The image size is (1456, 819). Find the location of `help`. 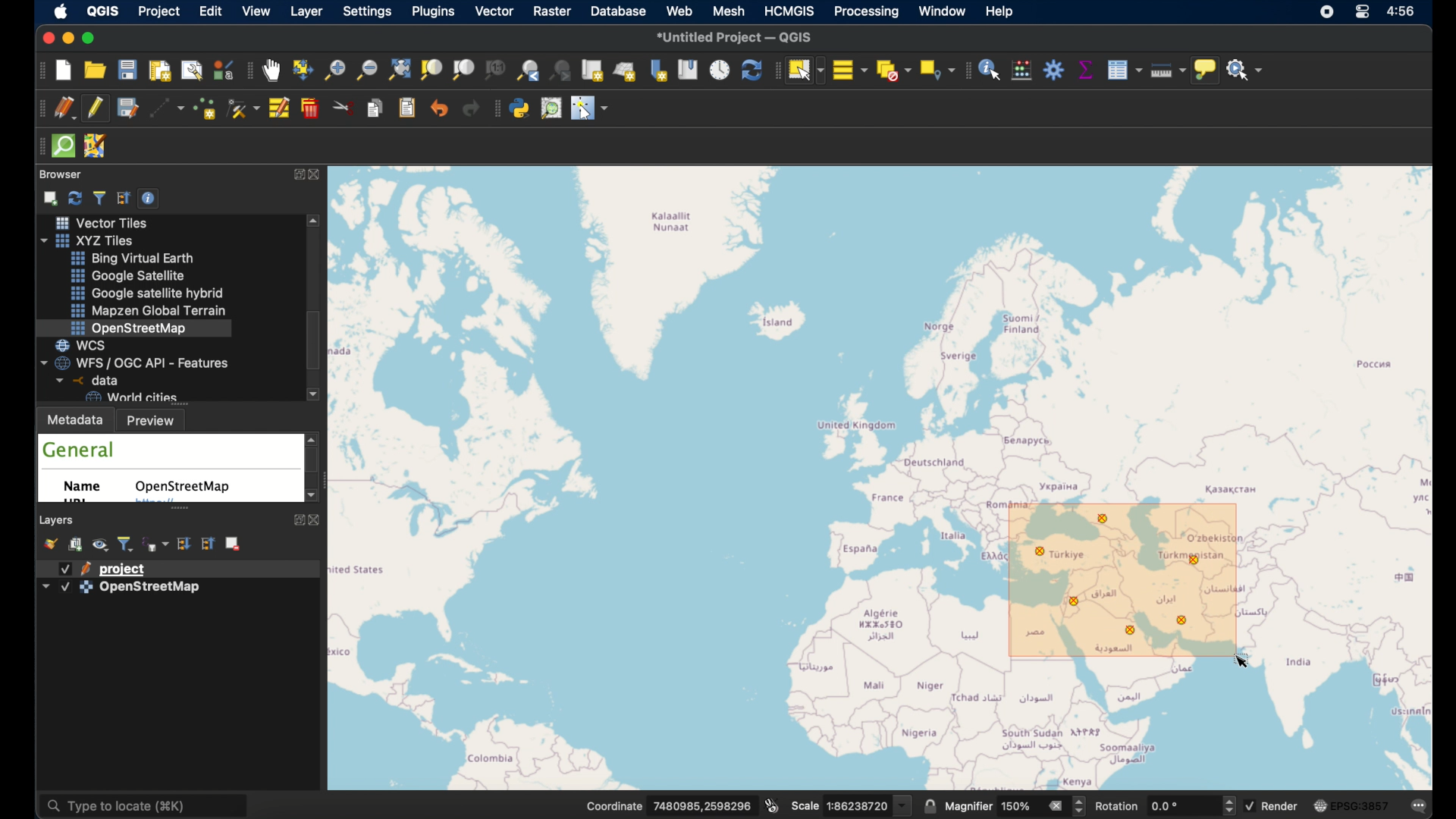

help is located at coordinates (999, 11).